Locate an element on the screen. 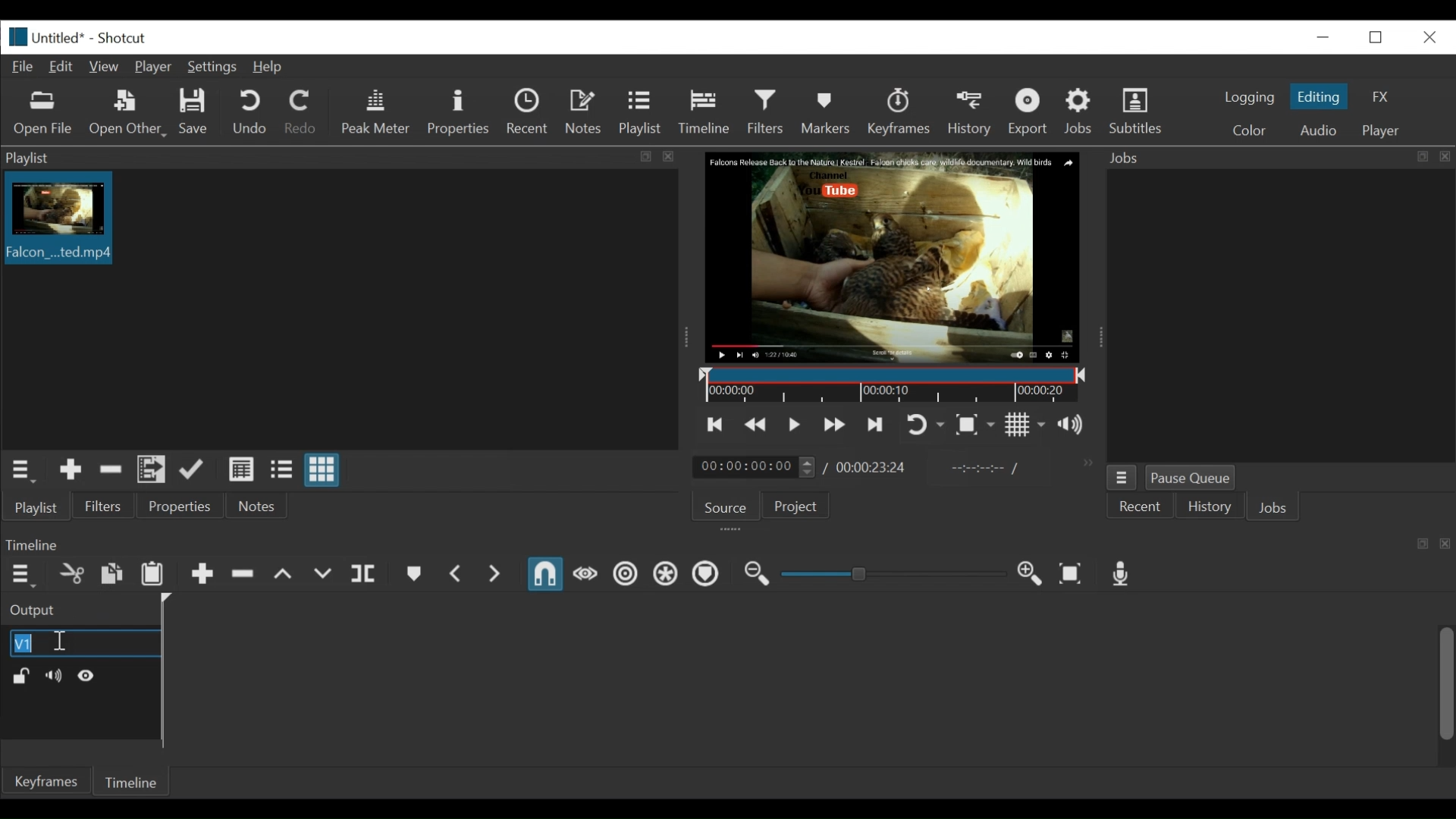 The height and width of the screenshot is (819, 1456). Editing is located at coordinates (1317, 96).